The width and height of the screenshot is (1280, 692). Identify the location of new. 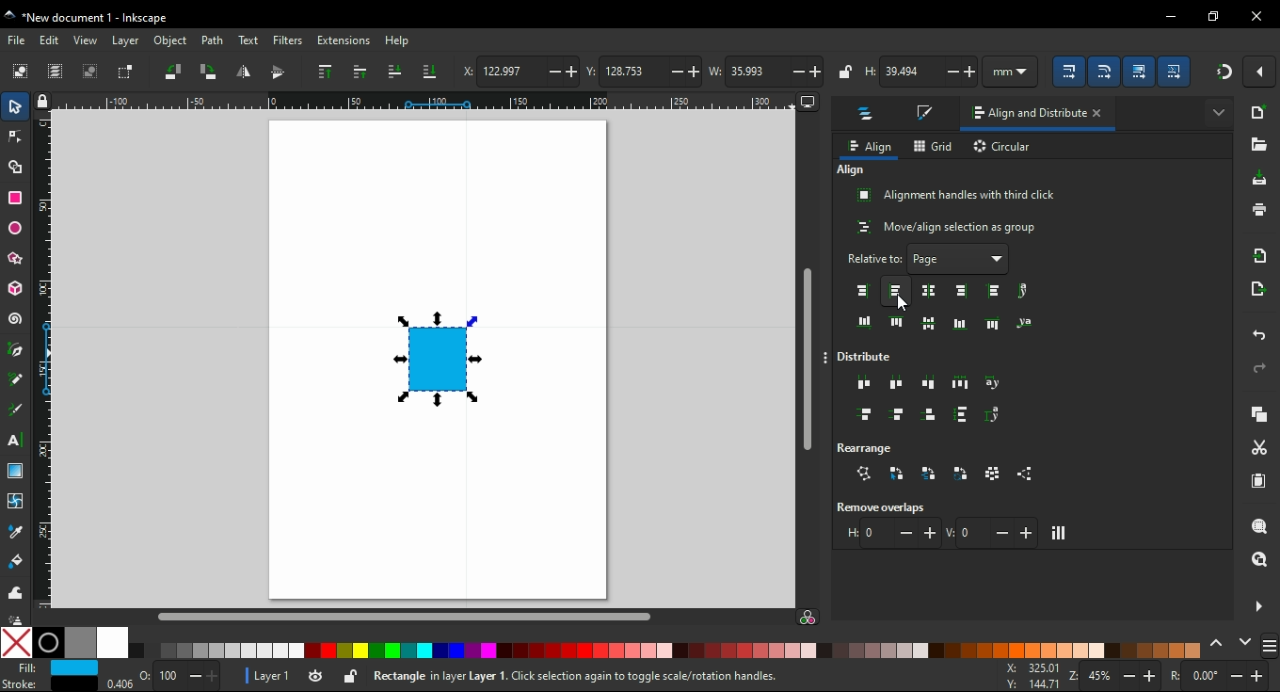
(1257, 115).